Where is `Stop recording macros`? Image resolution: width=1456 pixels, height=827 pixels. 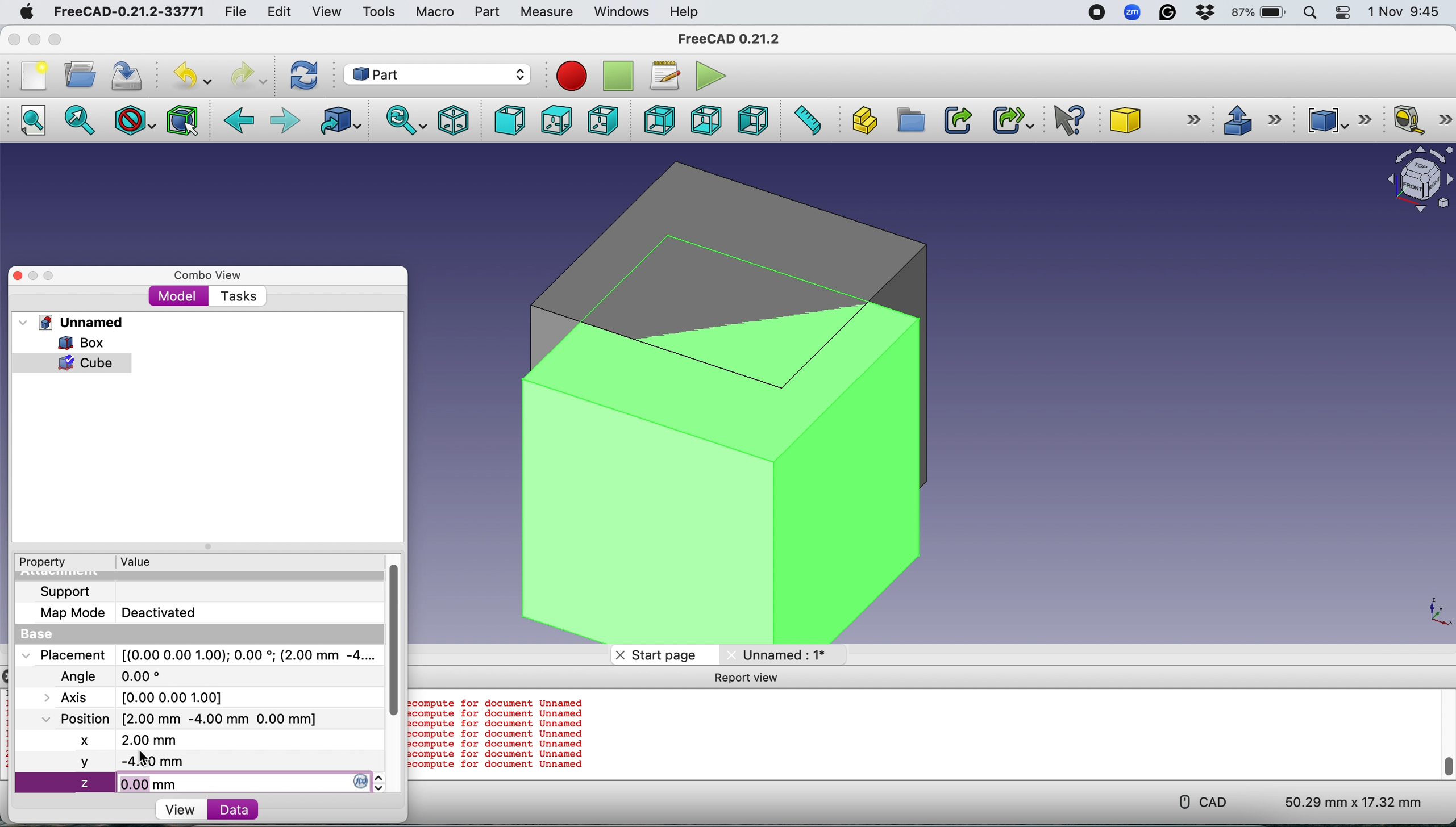
Stop recording macros is located at coordinates (620, 76).